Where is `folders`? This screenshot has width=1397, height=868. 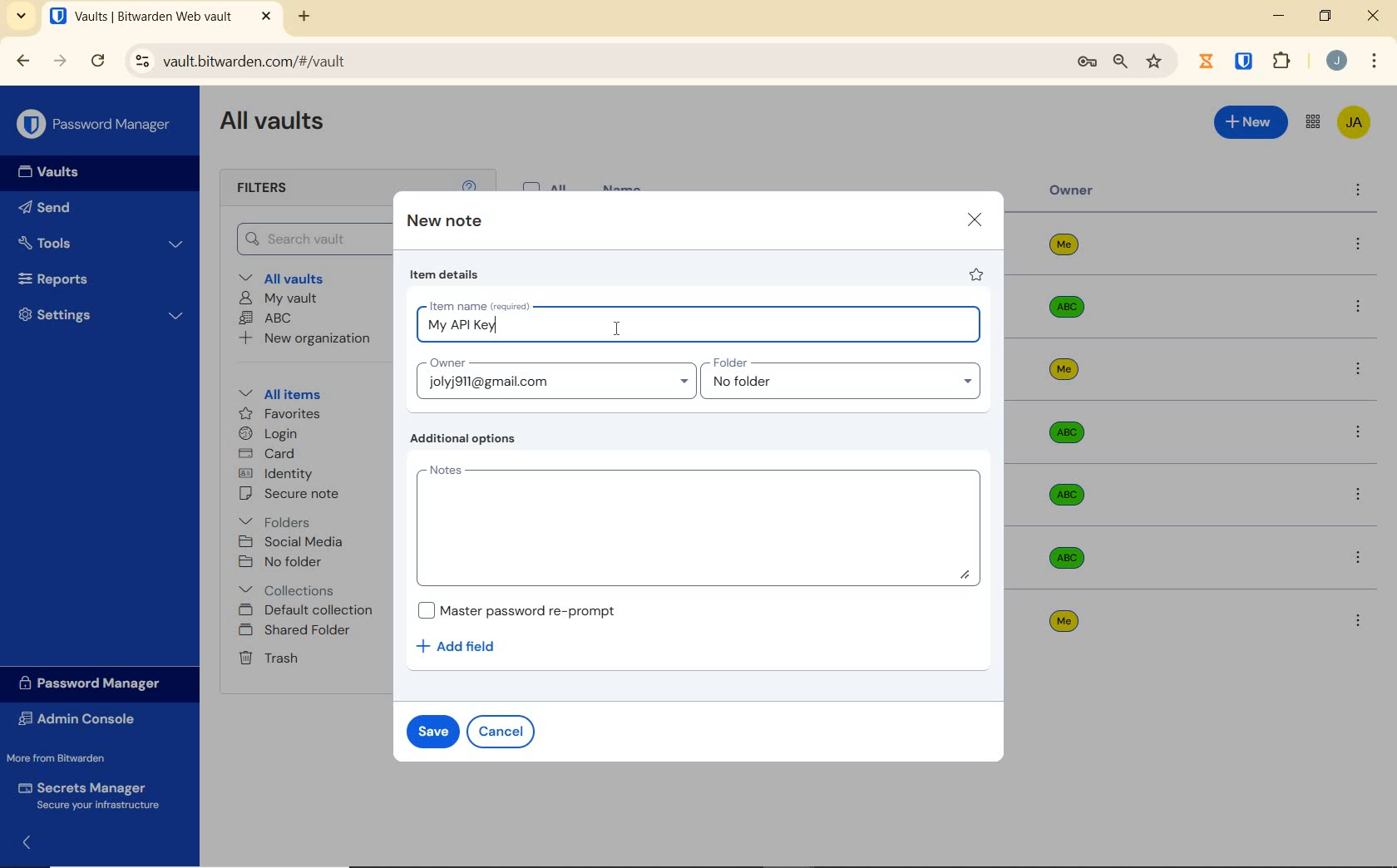 folders is located at coordinates (277, 522).